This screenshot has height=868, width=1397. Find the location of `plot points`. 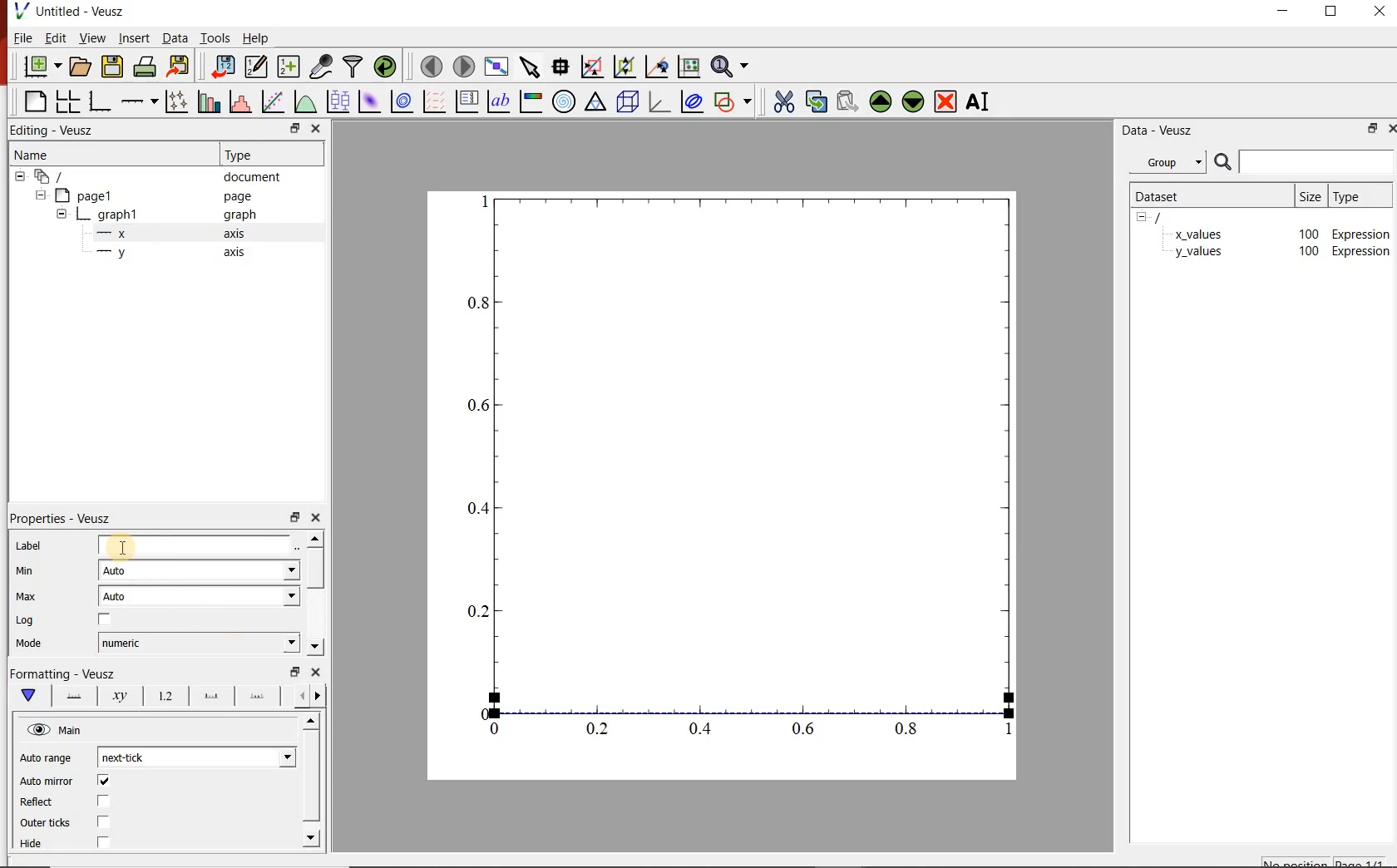

plot points is located at coordinates (175, 102).